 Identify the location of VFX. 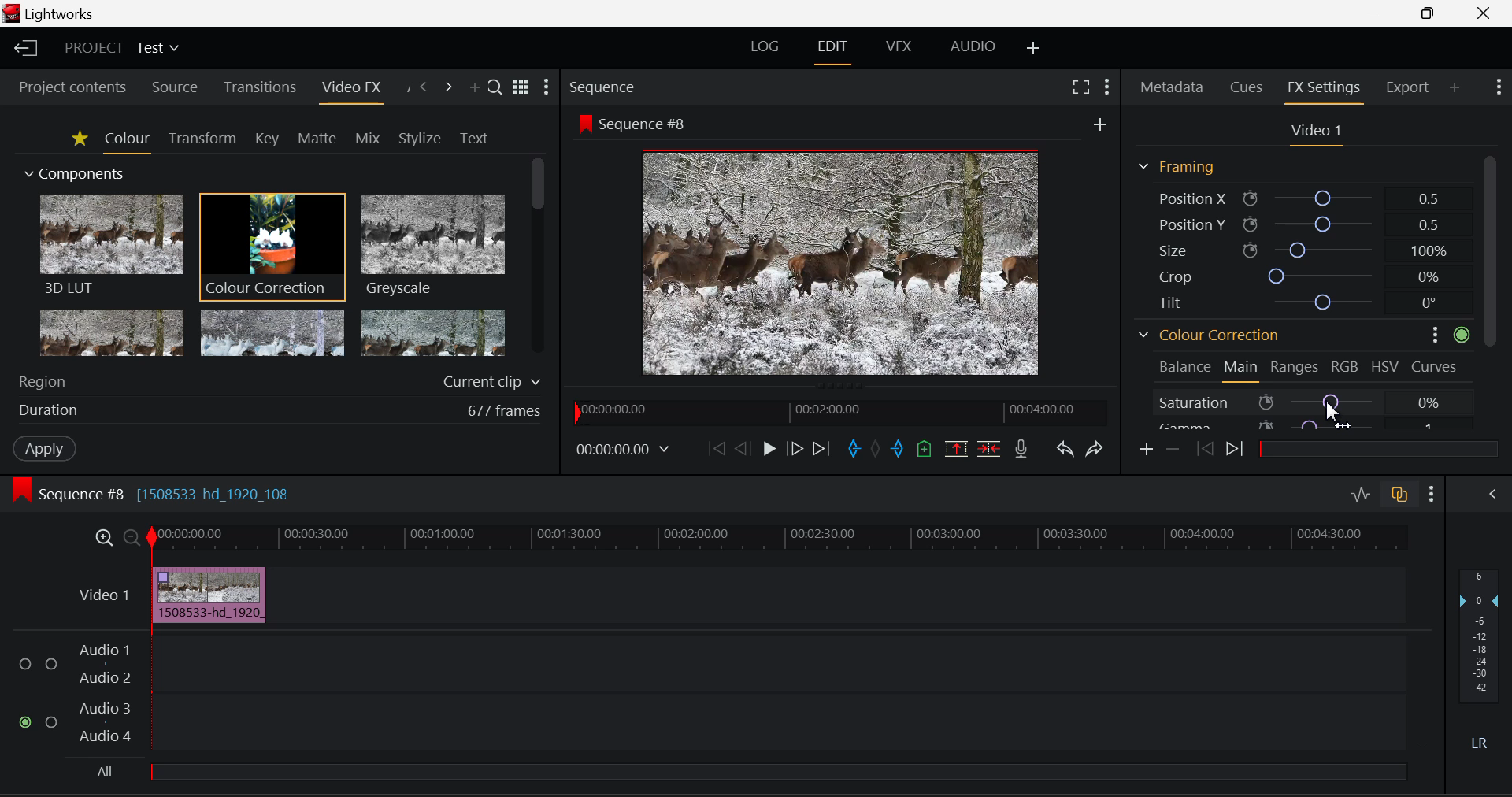
(898, 48).